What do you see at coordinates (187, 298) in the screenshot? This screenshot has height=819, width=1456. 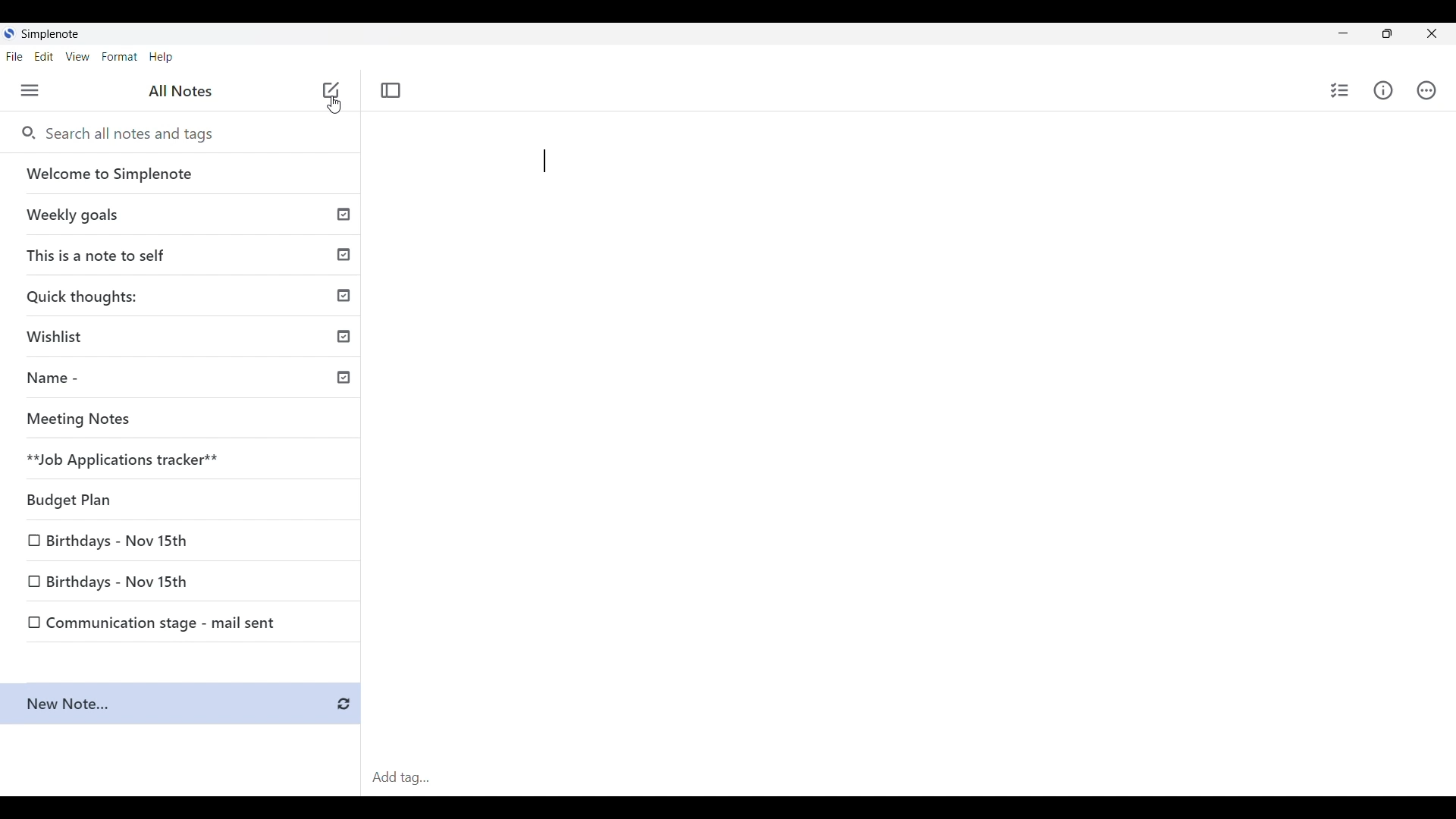 I see `Quick thoughts:` at bounding box center [187, 298].